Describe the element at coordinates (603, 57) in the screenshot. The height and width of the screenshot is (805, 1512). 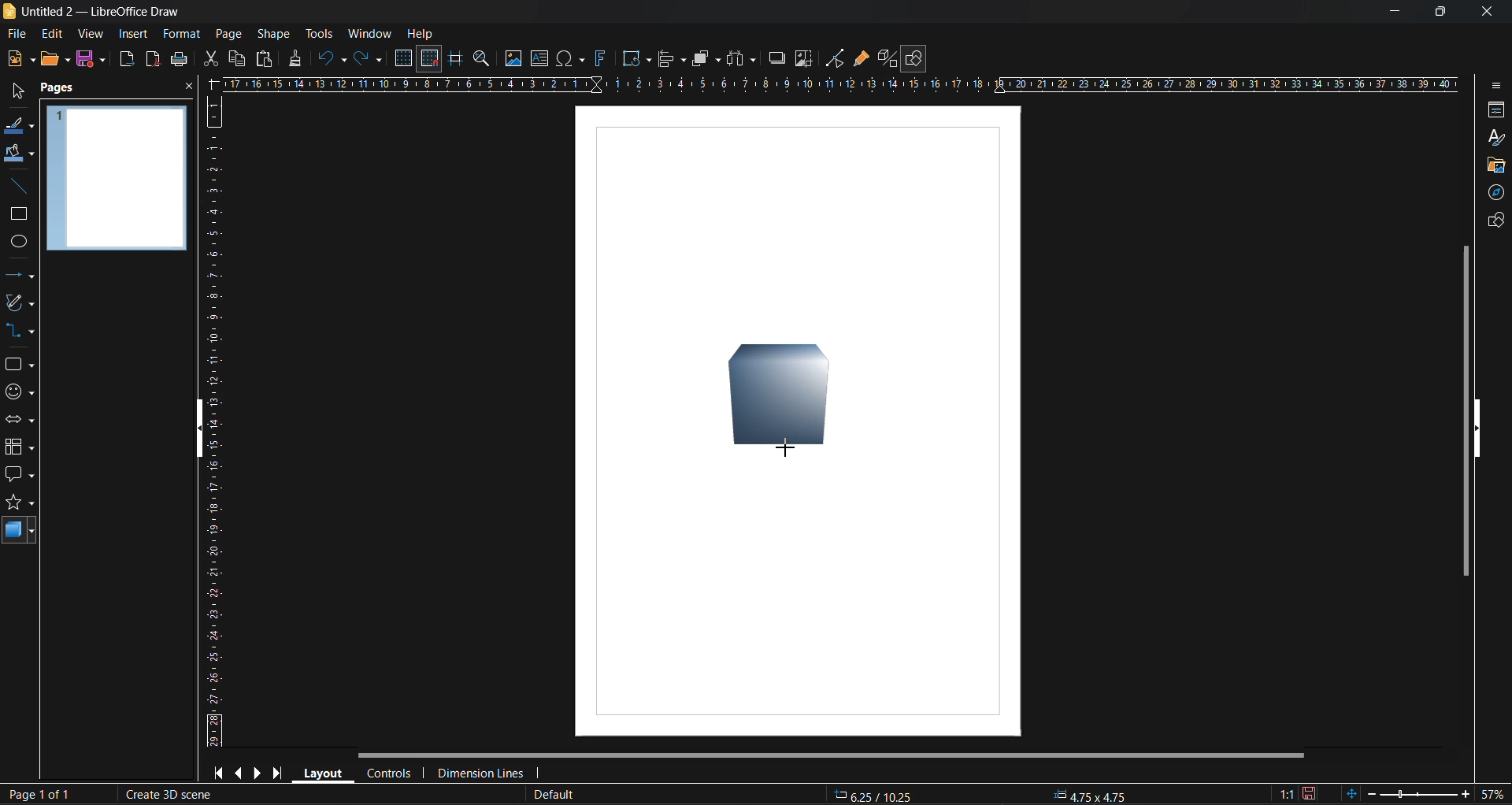
I see `fontwork` at that location.